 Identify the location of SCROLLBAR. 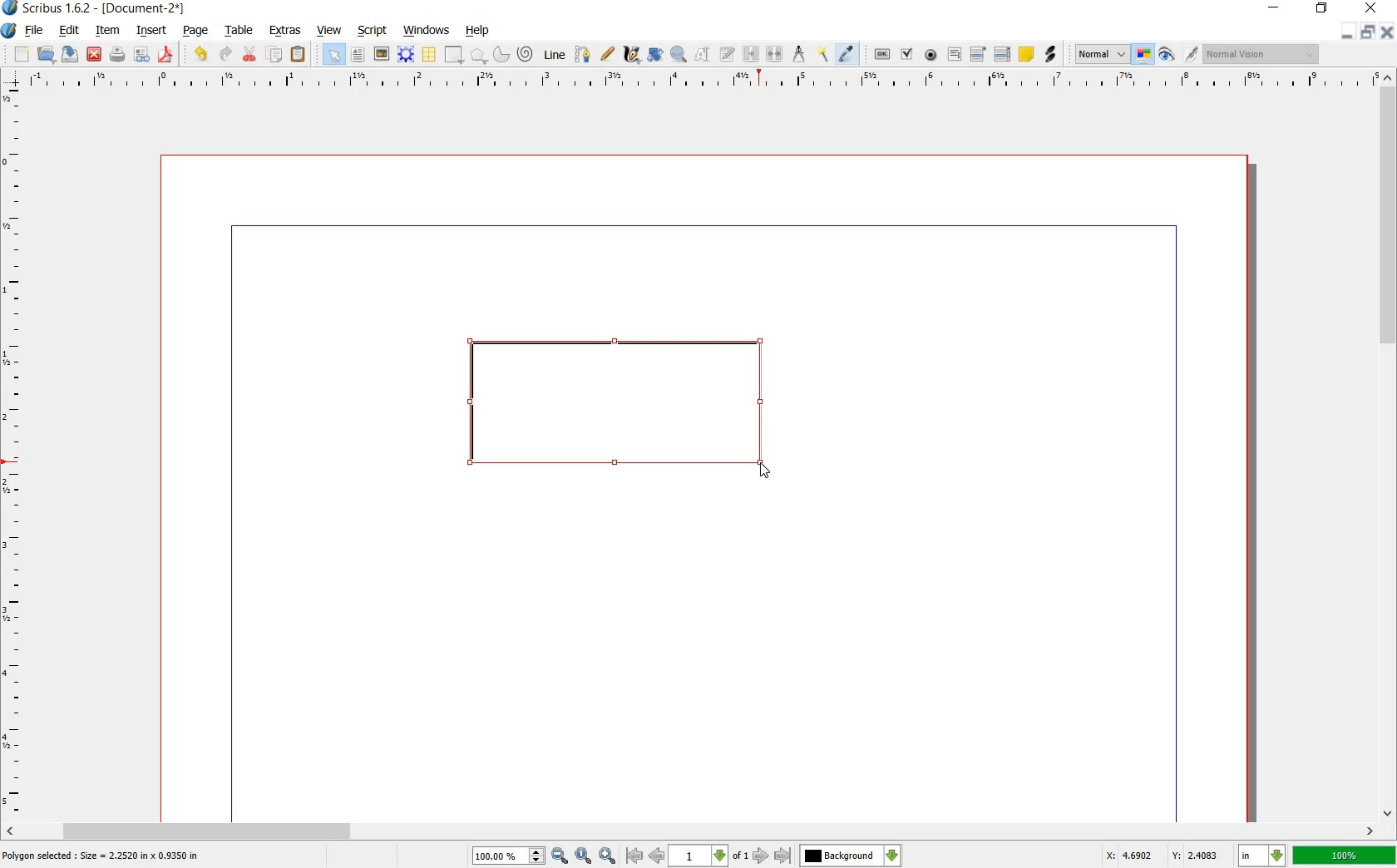
(690, 831).